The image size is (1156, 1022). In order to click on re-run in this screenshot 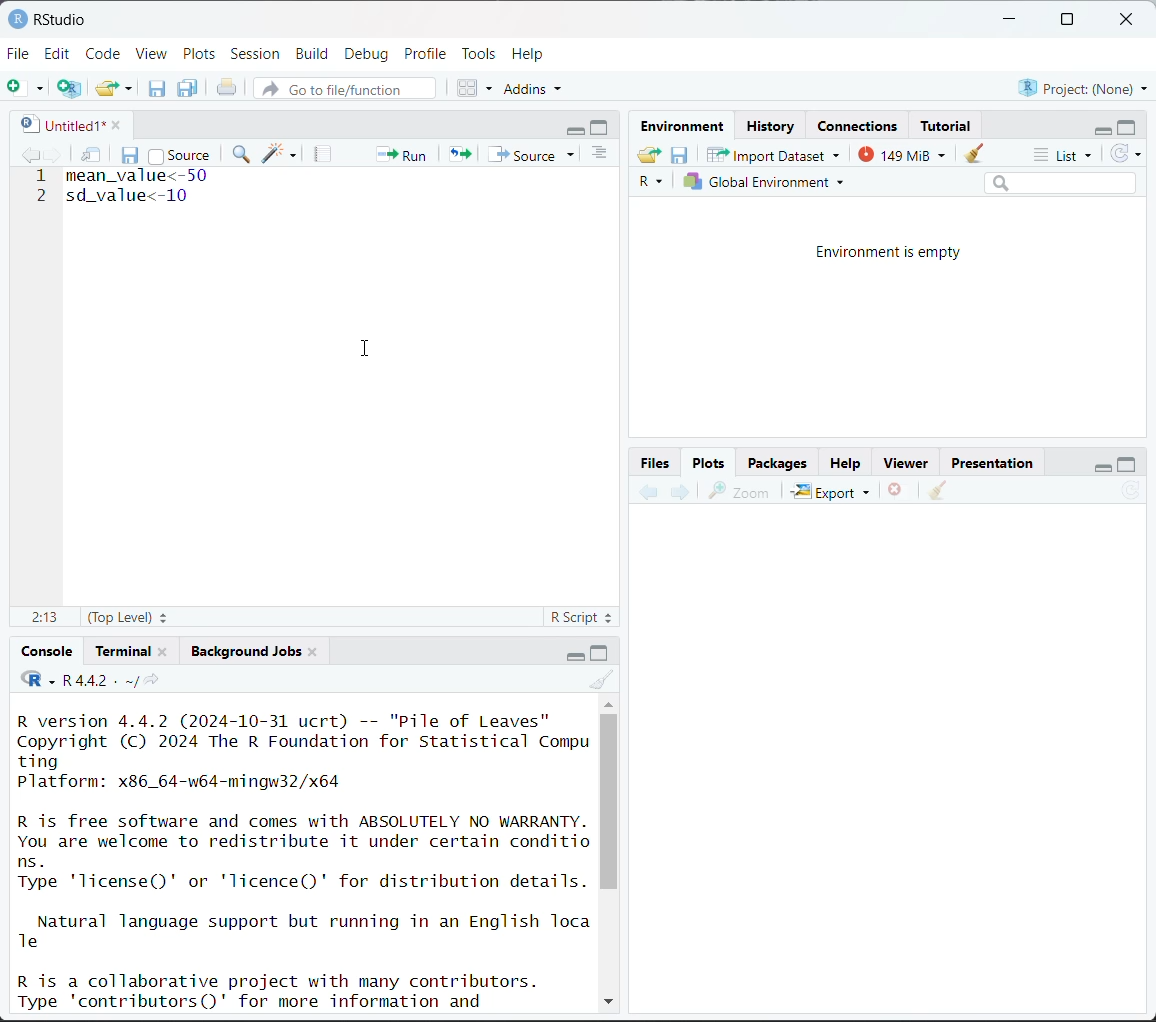, I will do `click(458, 153)`.